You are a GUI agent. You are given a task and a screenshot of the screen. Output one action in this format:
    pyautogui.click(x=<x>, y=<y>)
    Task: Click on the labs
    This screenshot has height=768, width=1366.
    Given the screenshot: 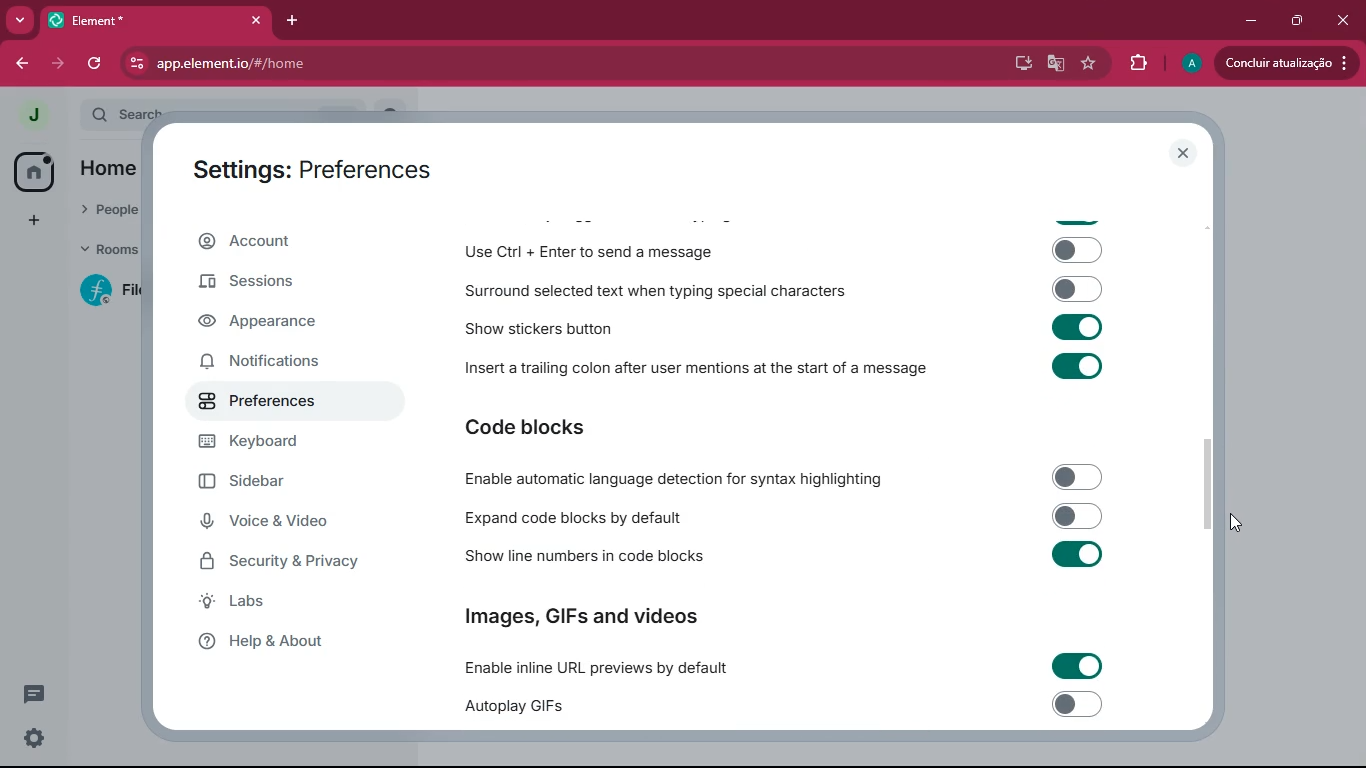 What is the action you would take?
    pyautogui.click(x=276, y=602)
    